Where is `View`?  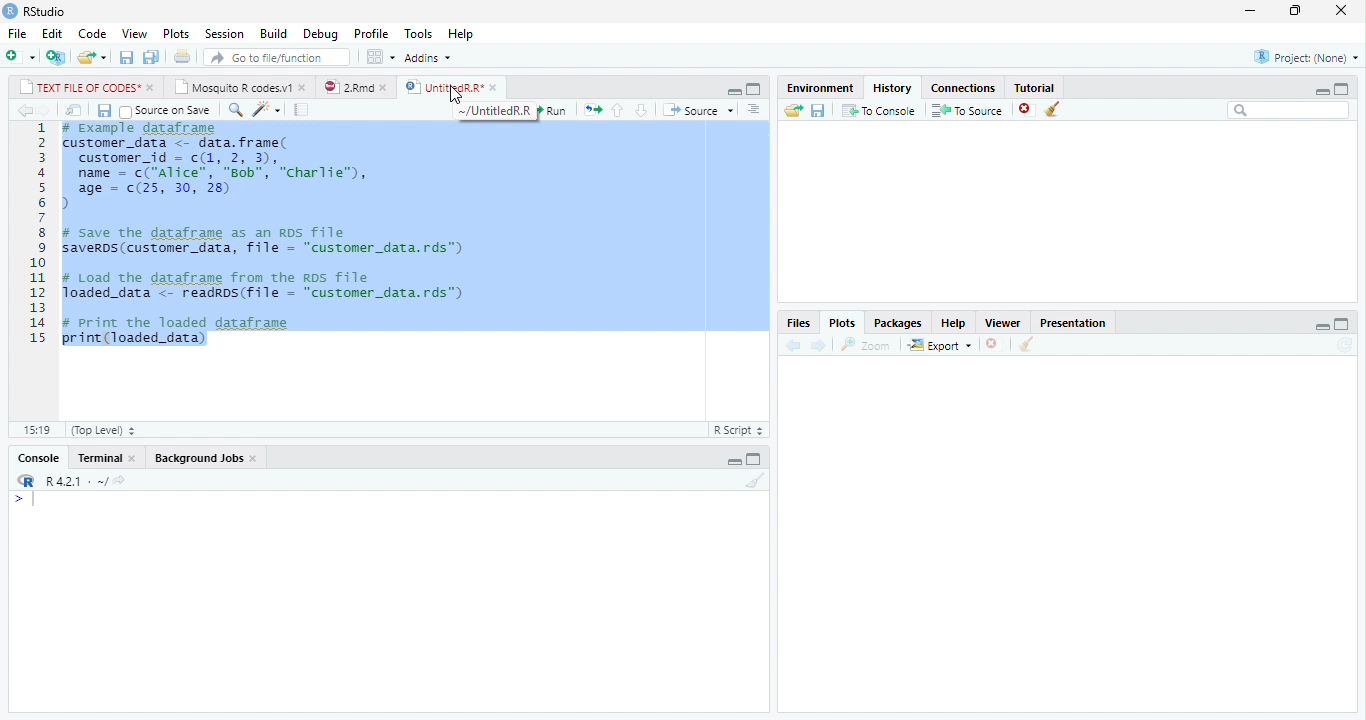
View is located at coordinates (135, 33).